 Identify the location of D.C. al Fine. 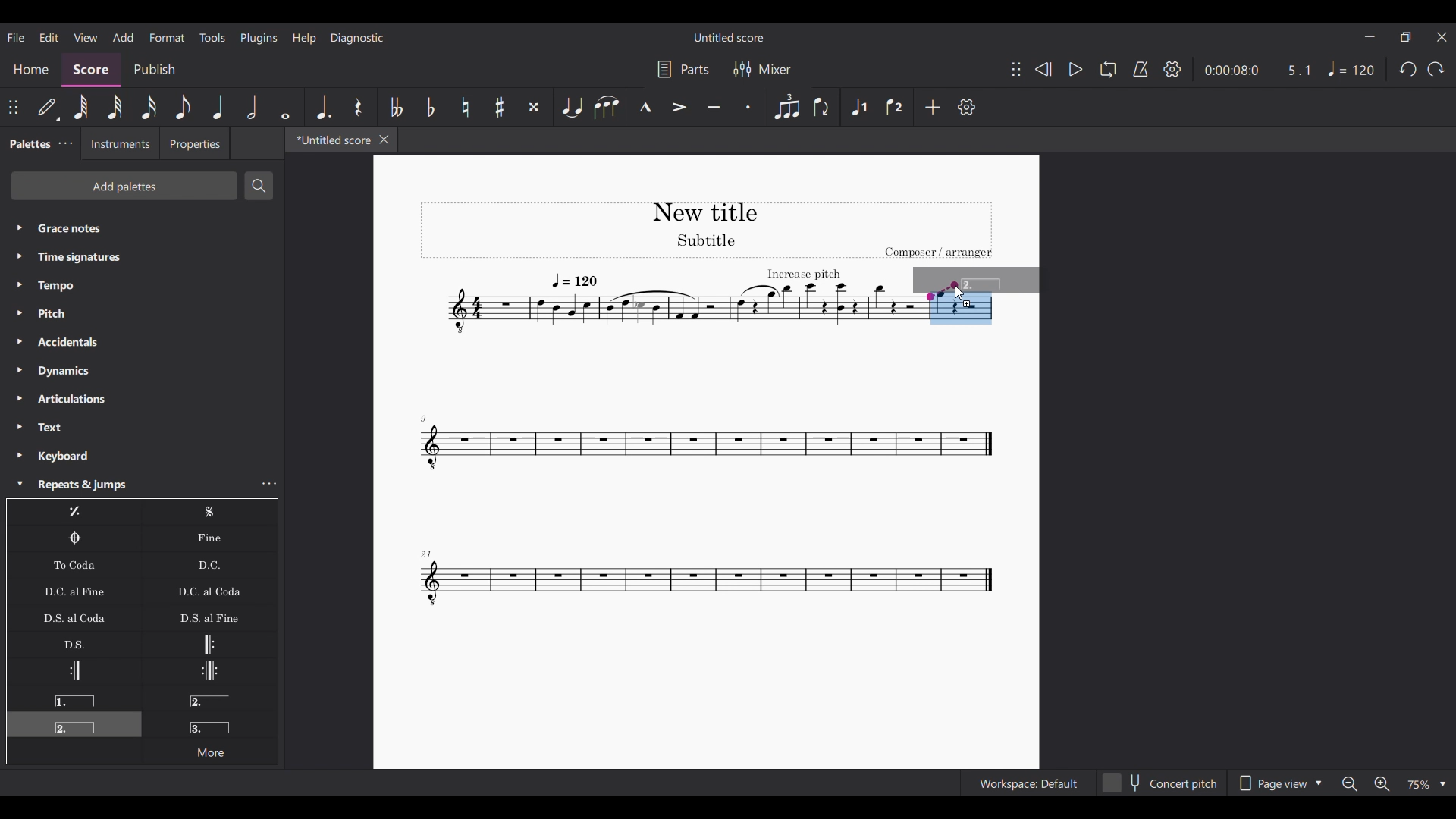
(74, 591).